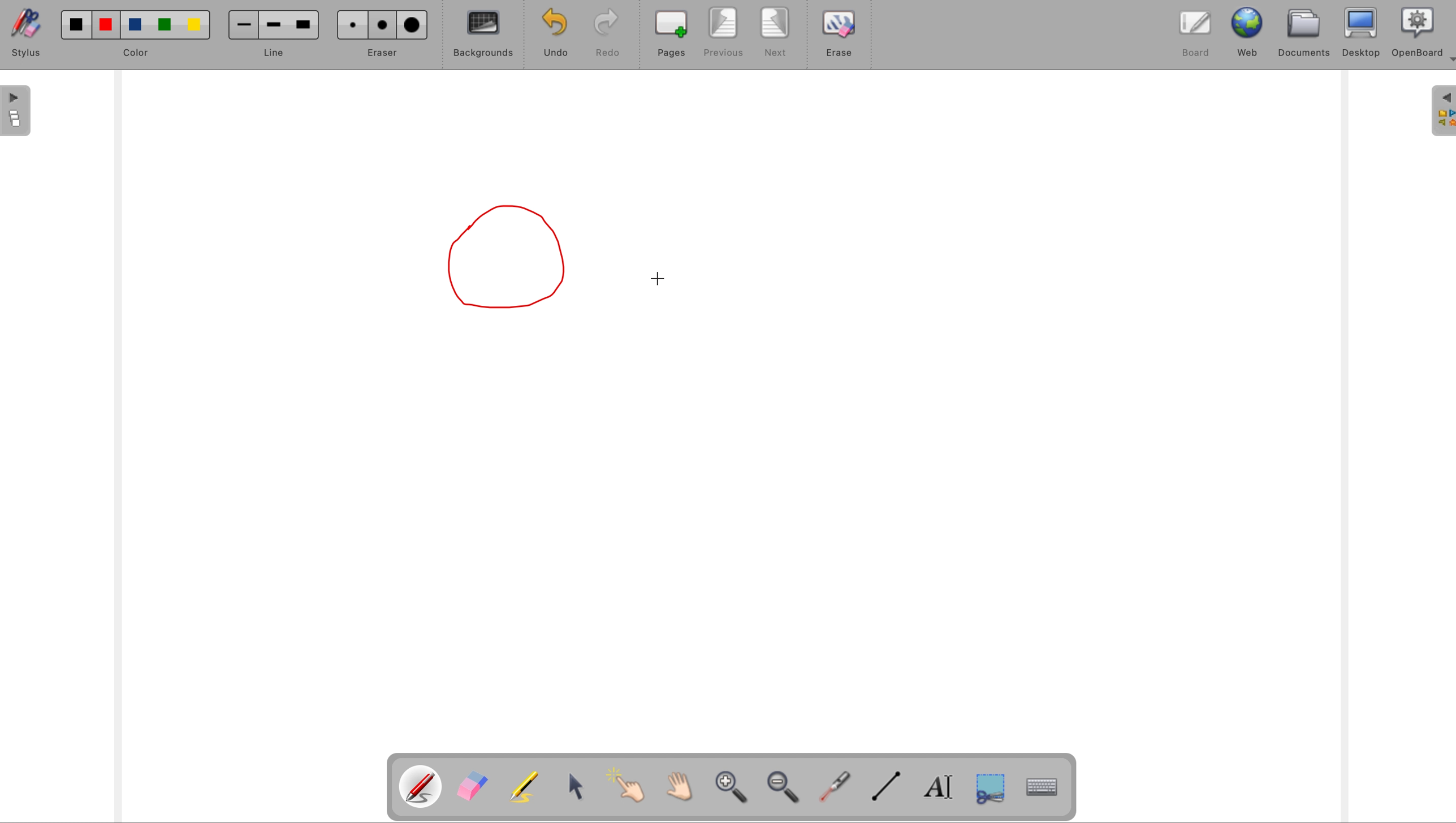 The image size is (1456, 823). Describe the element at coordinates (608, 34) in the screenshot. I see `redo` at that location.